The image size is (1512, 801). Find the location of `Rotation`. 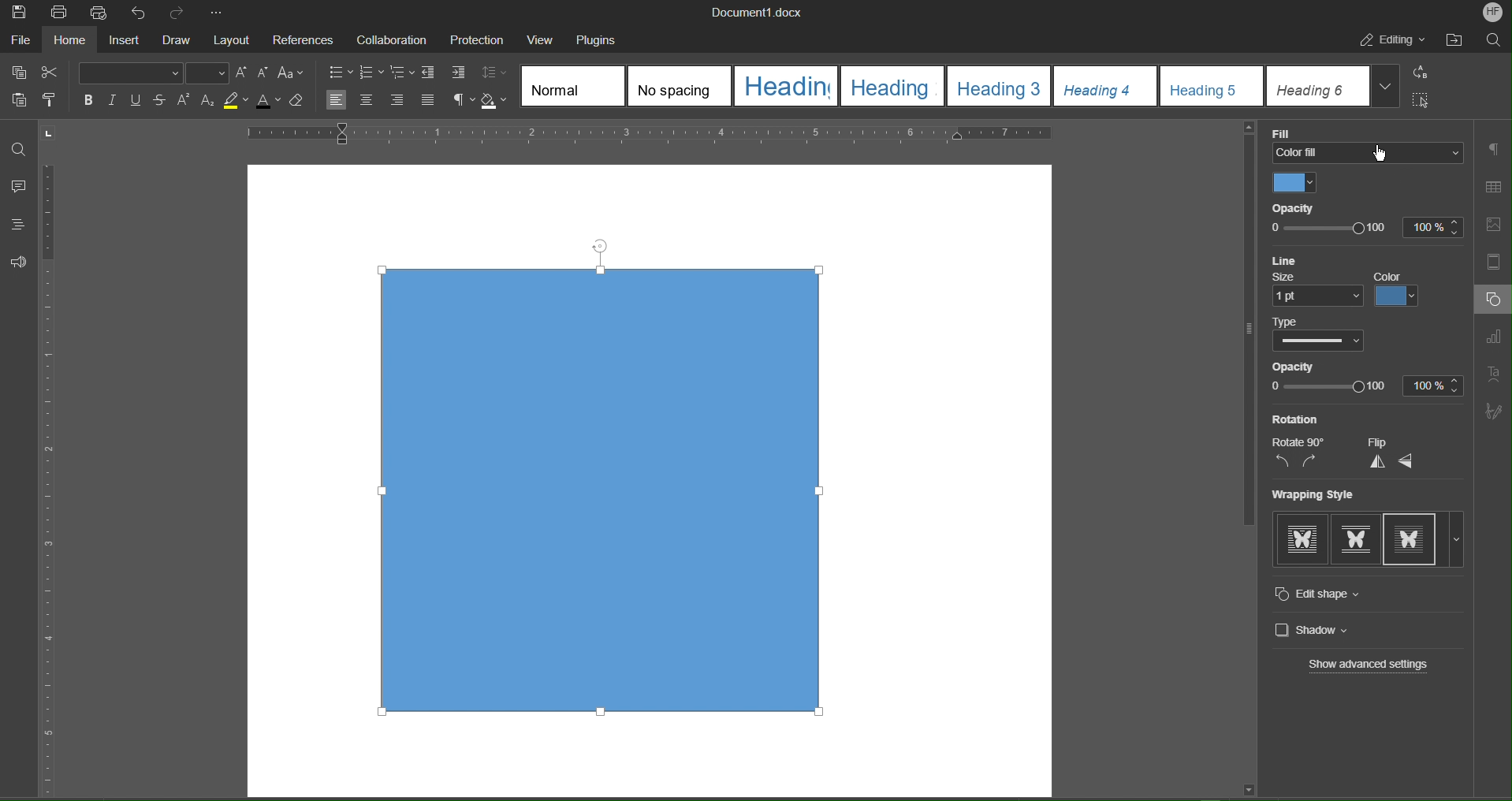

Rotation is located at coordinates (1298, 419).